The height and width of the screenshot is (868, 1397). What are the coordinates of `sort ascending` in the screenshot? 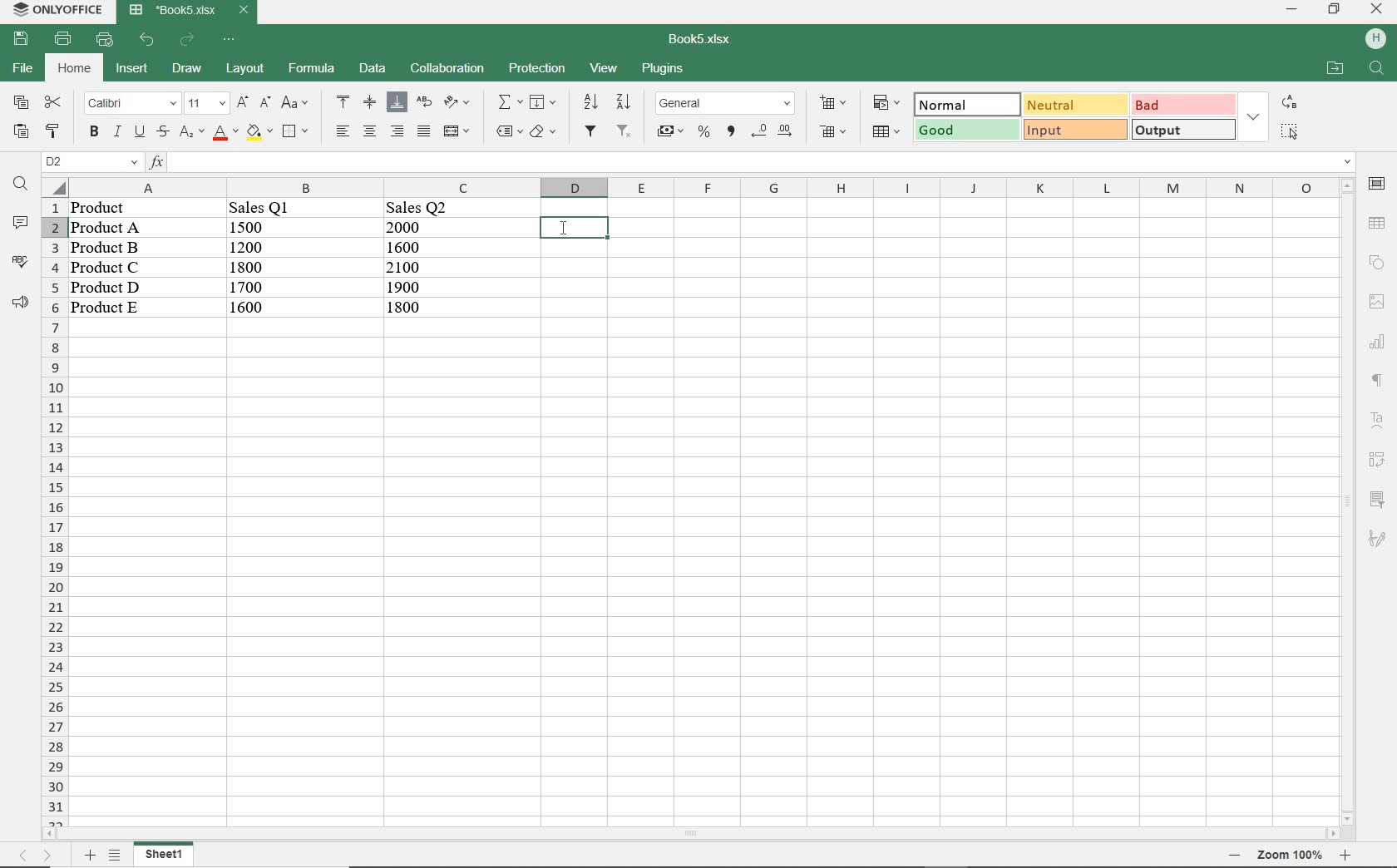 It's located at (590, 102).